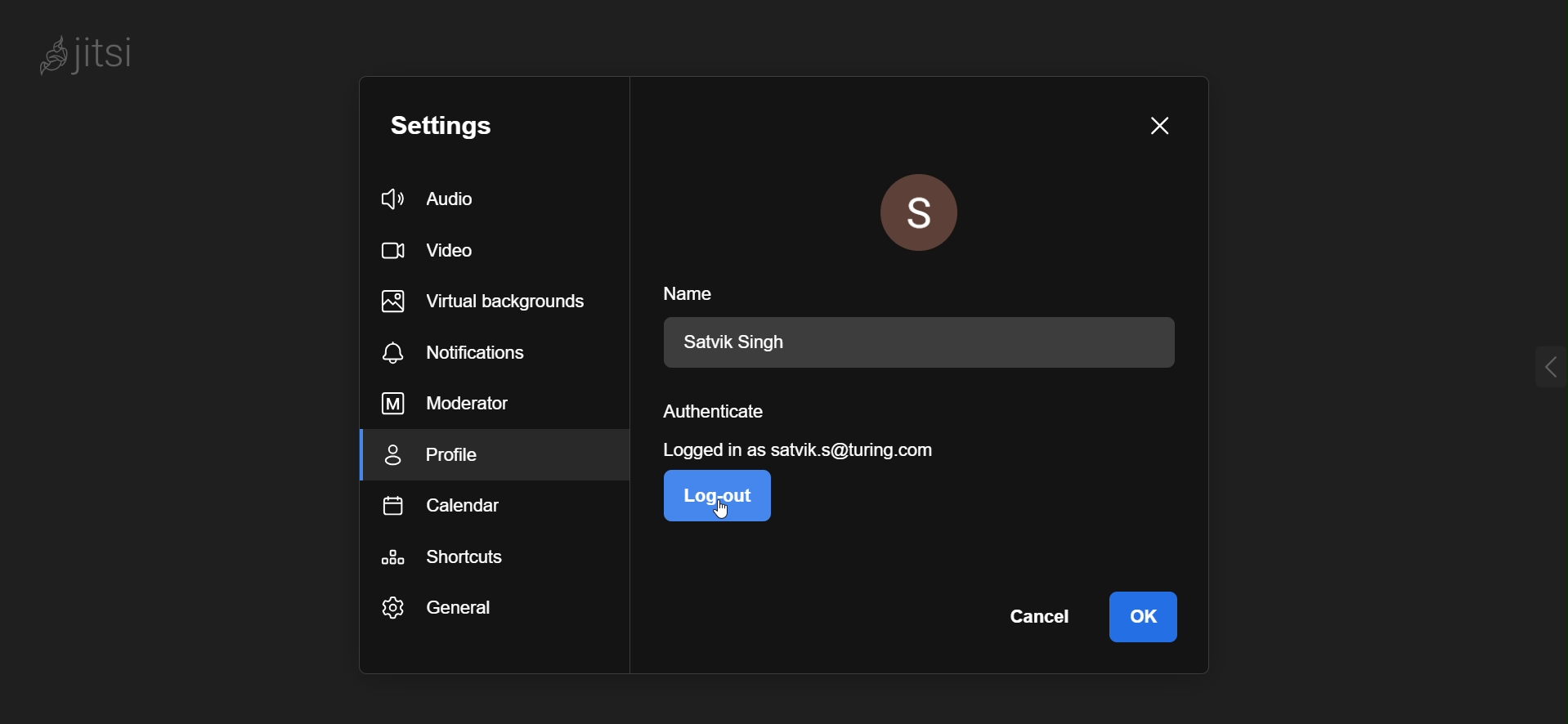  What do you see at coordinates (1532, 368) in the screenshot?
I see `expand` at bounding box center [1532, 368].